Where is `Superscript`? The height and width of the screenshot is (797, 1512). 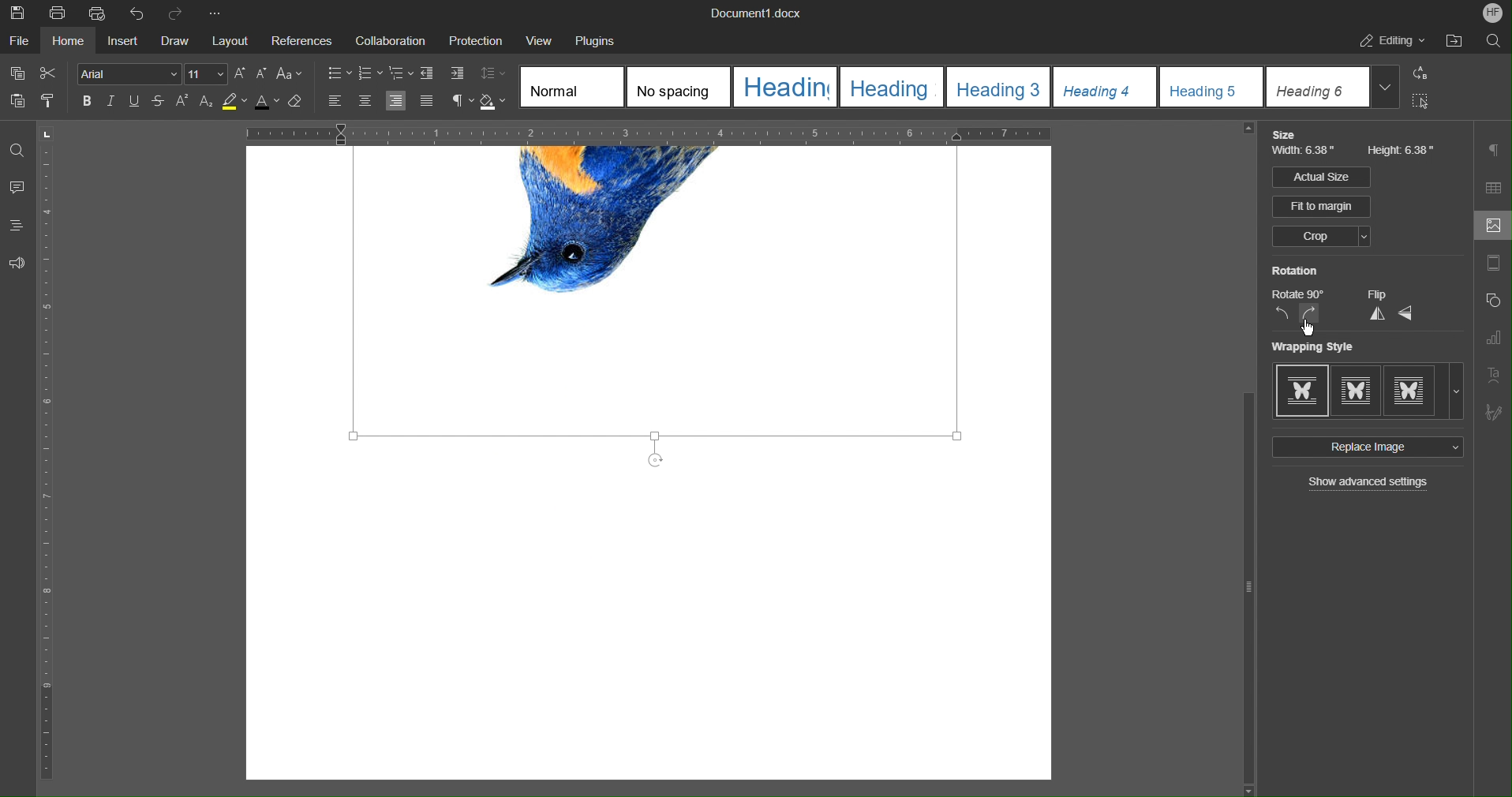 Superscript is located at coordinates (183, 103).